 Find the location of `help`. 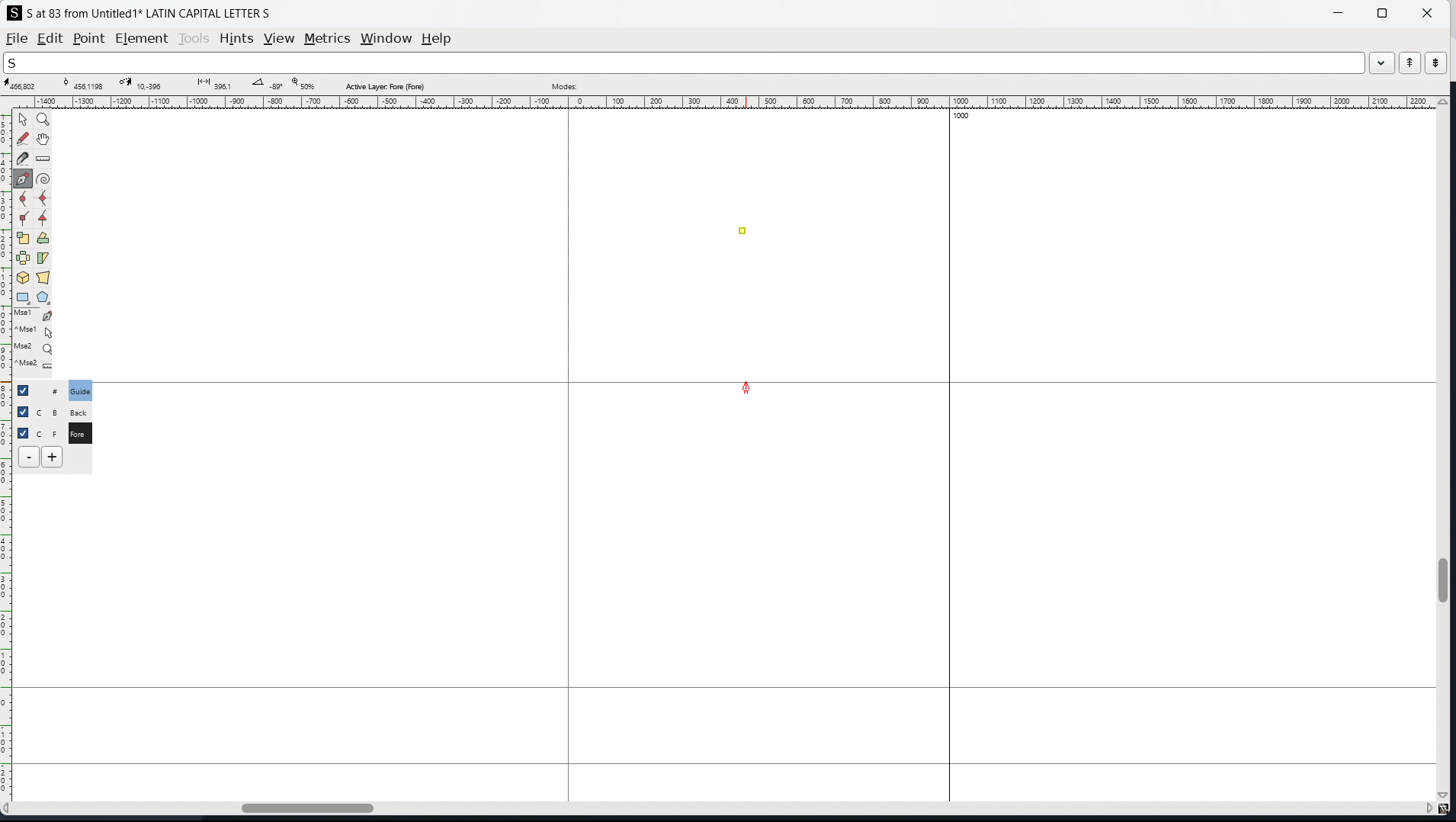

help is located at coordinates (437, 39).